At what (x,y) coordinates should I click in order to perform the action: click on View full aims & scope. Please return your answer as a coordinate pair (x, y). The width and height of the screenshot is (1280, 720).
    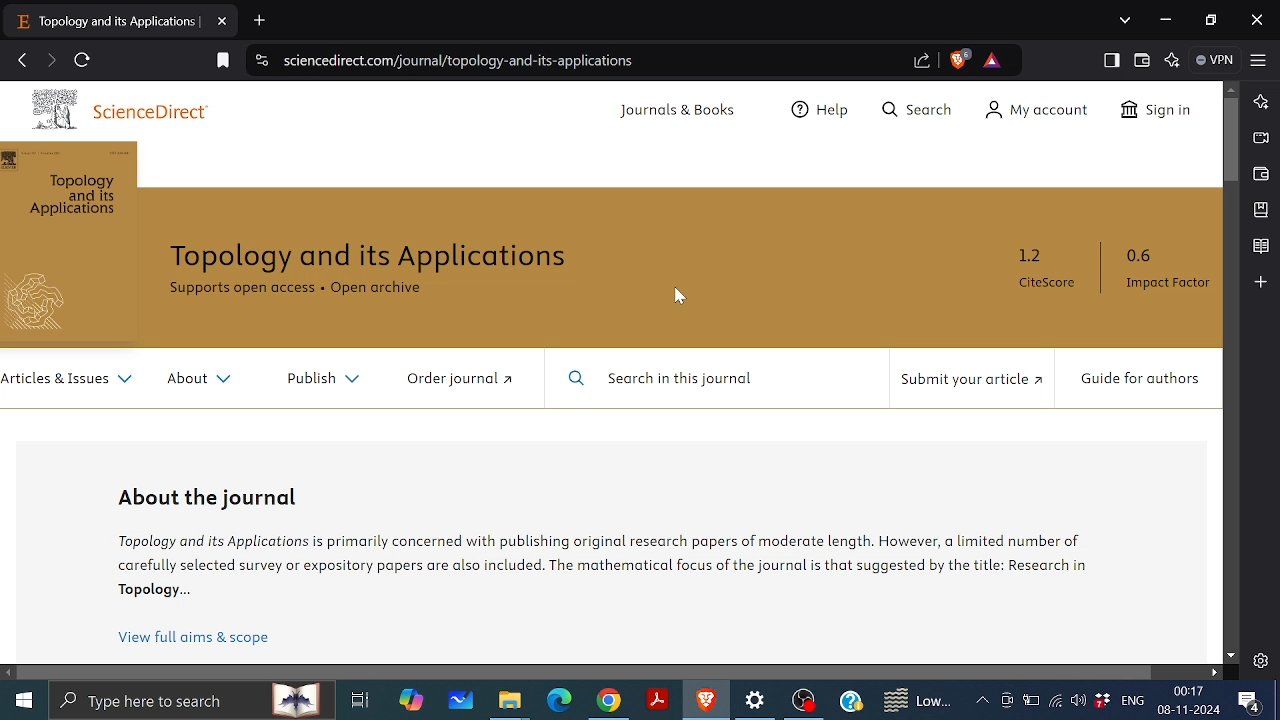
    Looking at the image, I should click on (194, 633).